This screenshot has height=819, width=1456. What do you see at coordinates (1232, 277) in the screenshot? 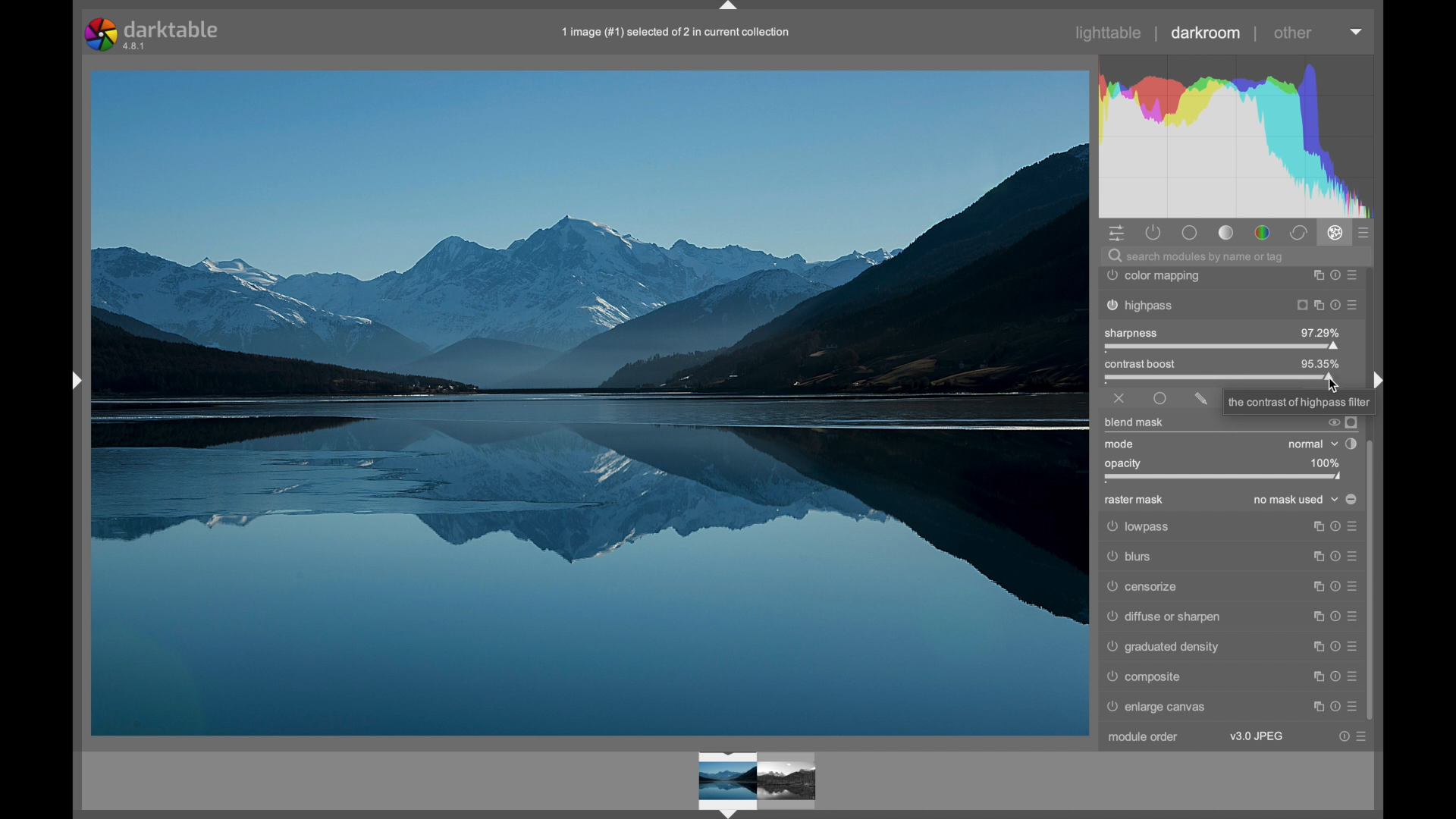
I see `color mapping` at bounding box center [1232, 277].